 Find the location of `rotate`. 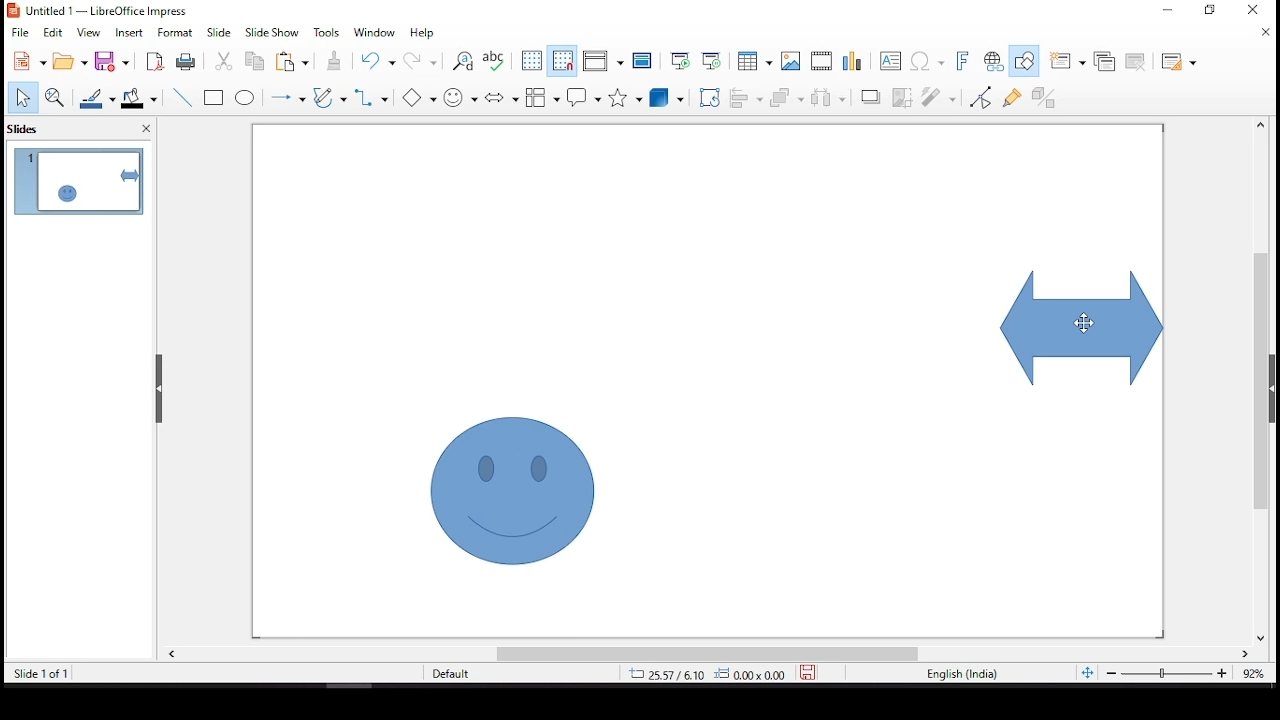

rotate is located at coordinates (709, 97).